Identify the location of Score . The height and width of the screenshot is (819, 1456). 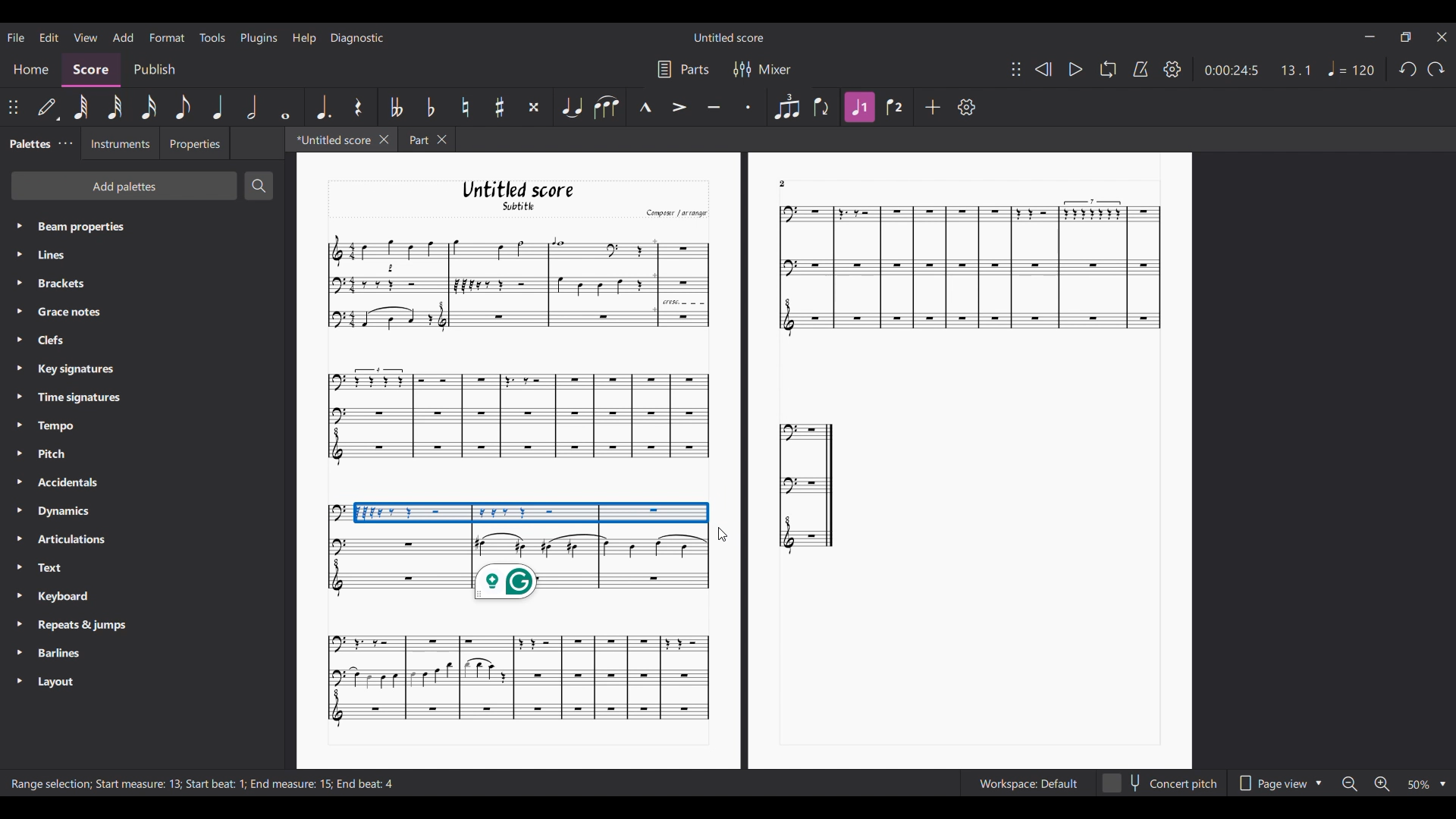
(91, 71).